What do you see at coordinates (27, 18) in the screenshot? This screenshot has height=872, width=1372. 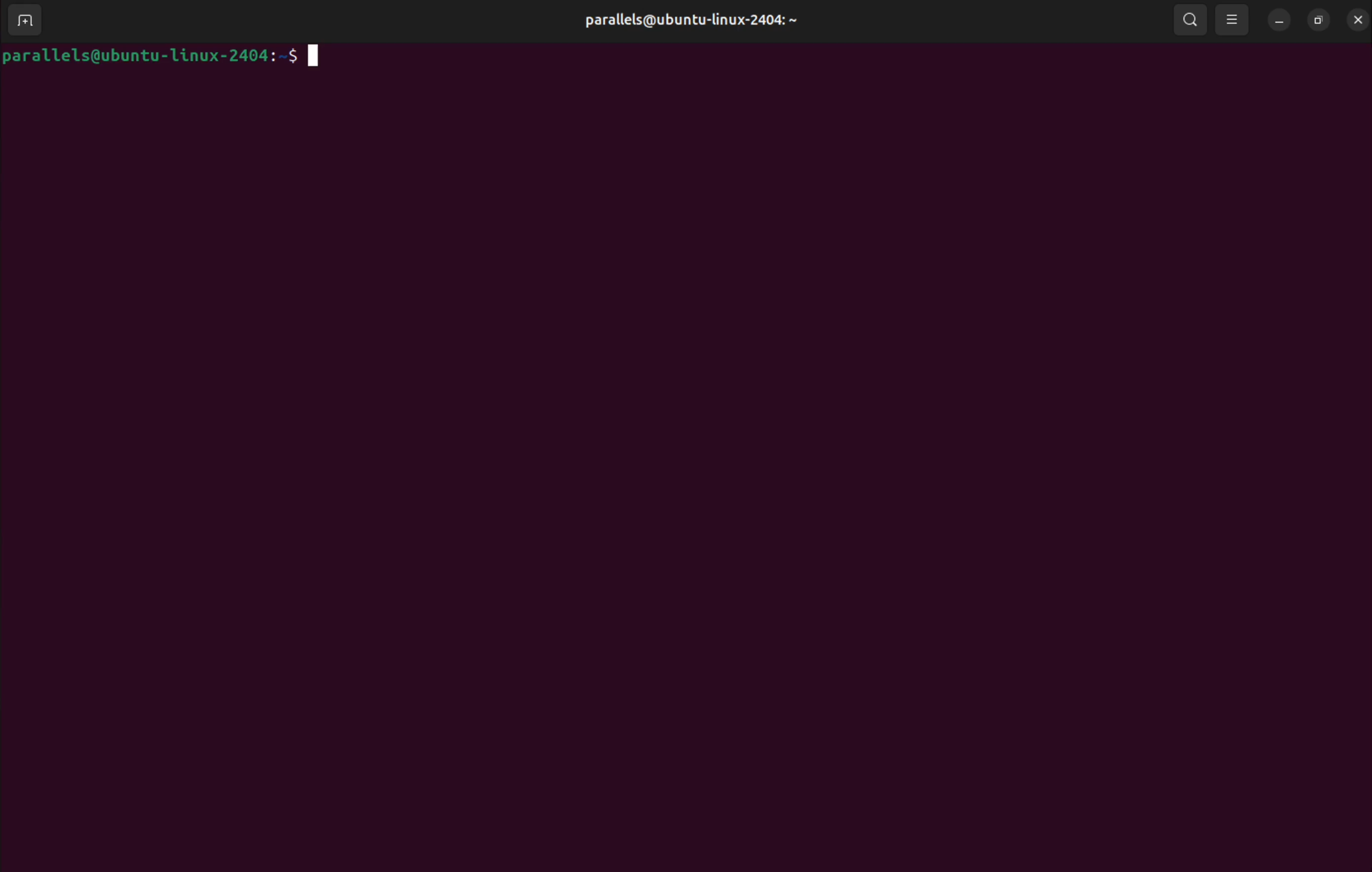 I see `add terminal` at bounding box center [27, 18].